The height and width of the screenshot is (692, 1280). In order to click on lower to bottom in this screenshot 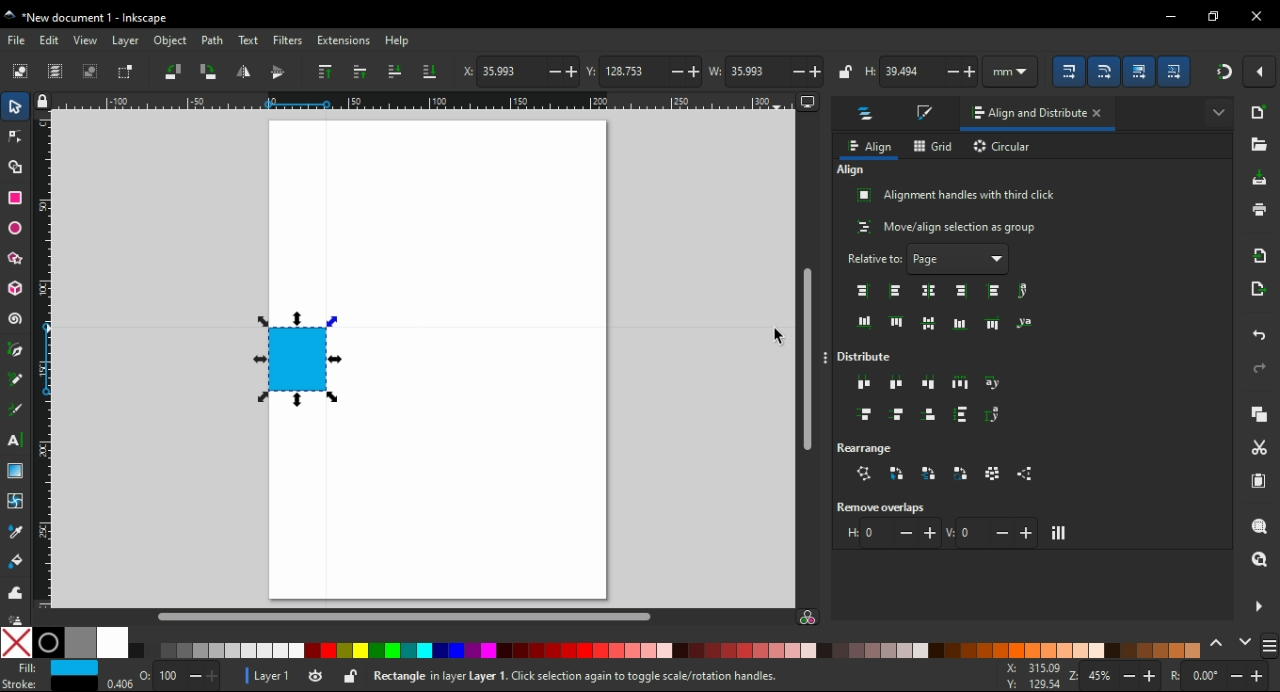, I will do `click(430, 72)`.